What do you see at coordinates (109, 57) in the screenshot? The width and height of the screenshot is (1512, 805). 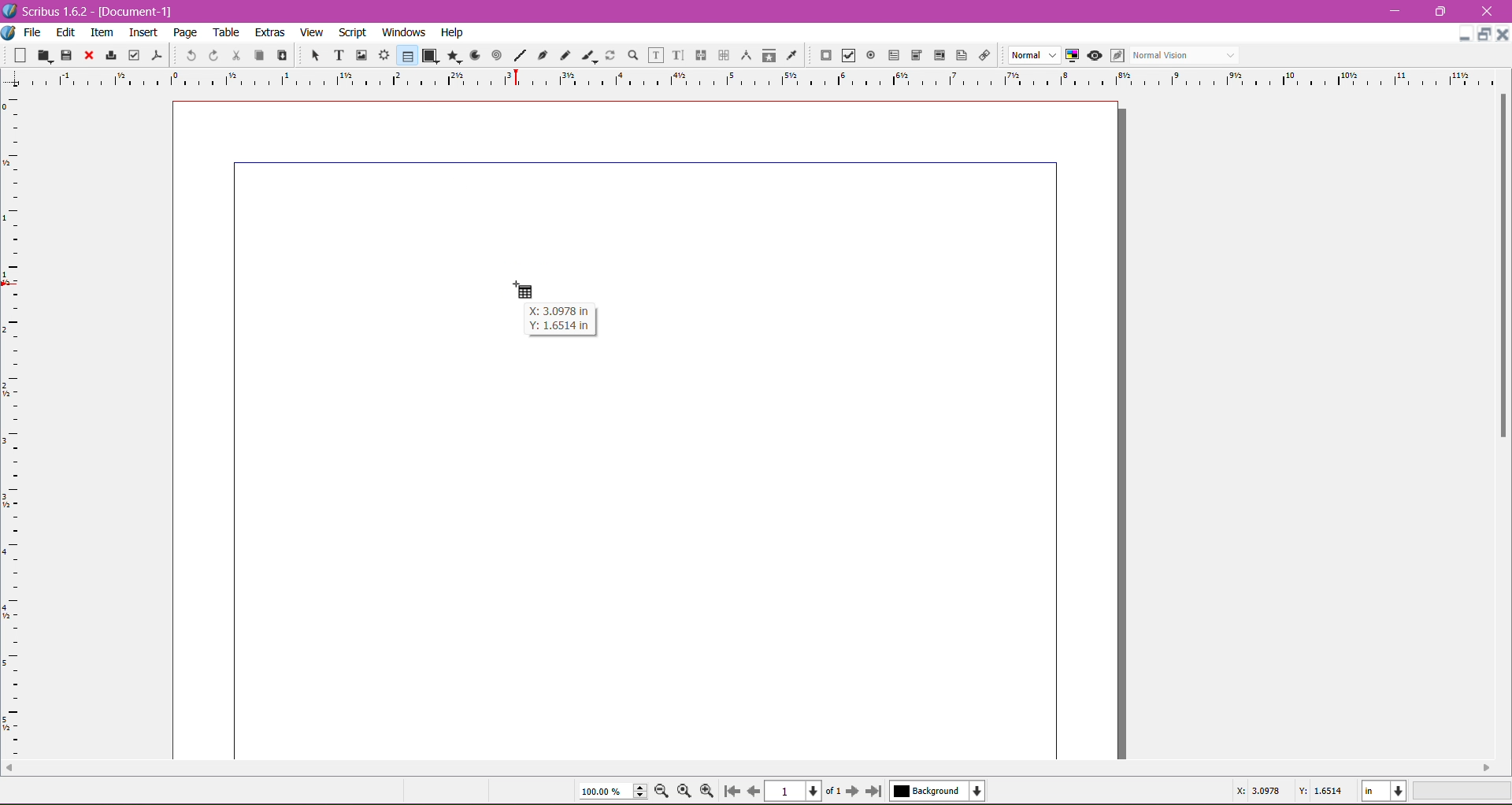 I see `Print` at bounding box center [109, 57].